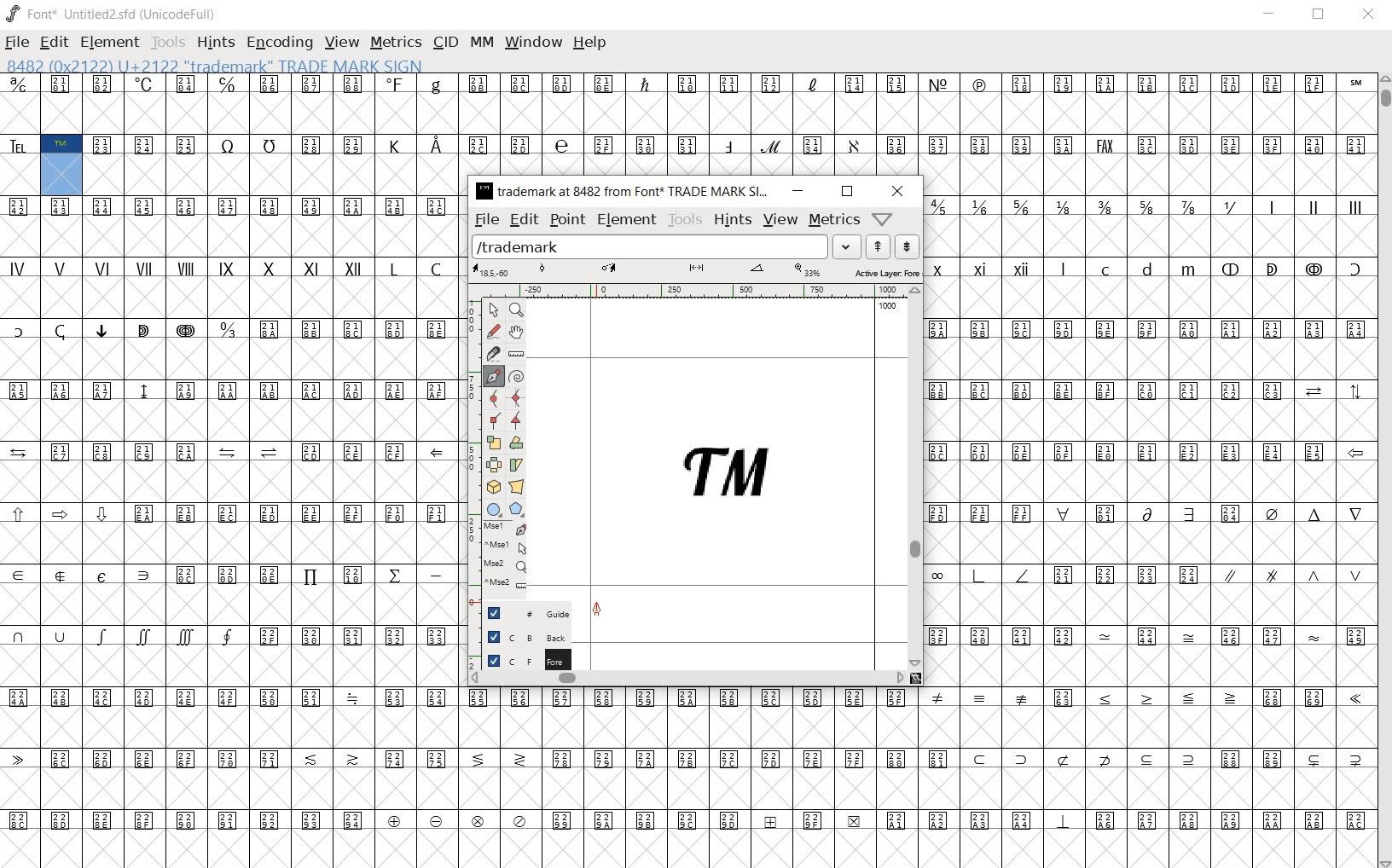  What do you see at coordinates (590, 44) in the screenshot?
I see `HELP` at bounding box center [590, 44].